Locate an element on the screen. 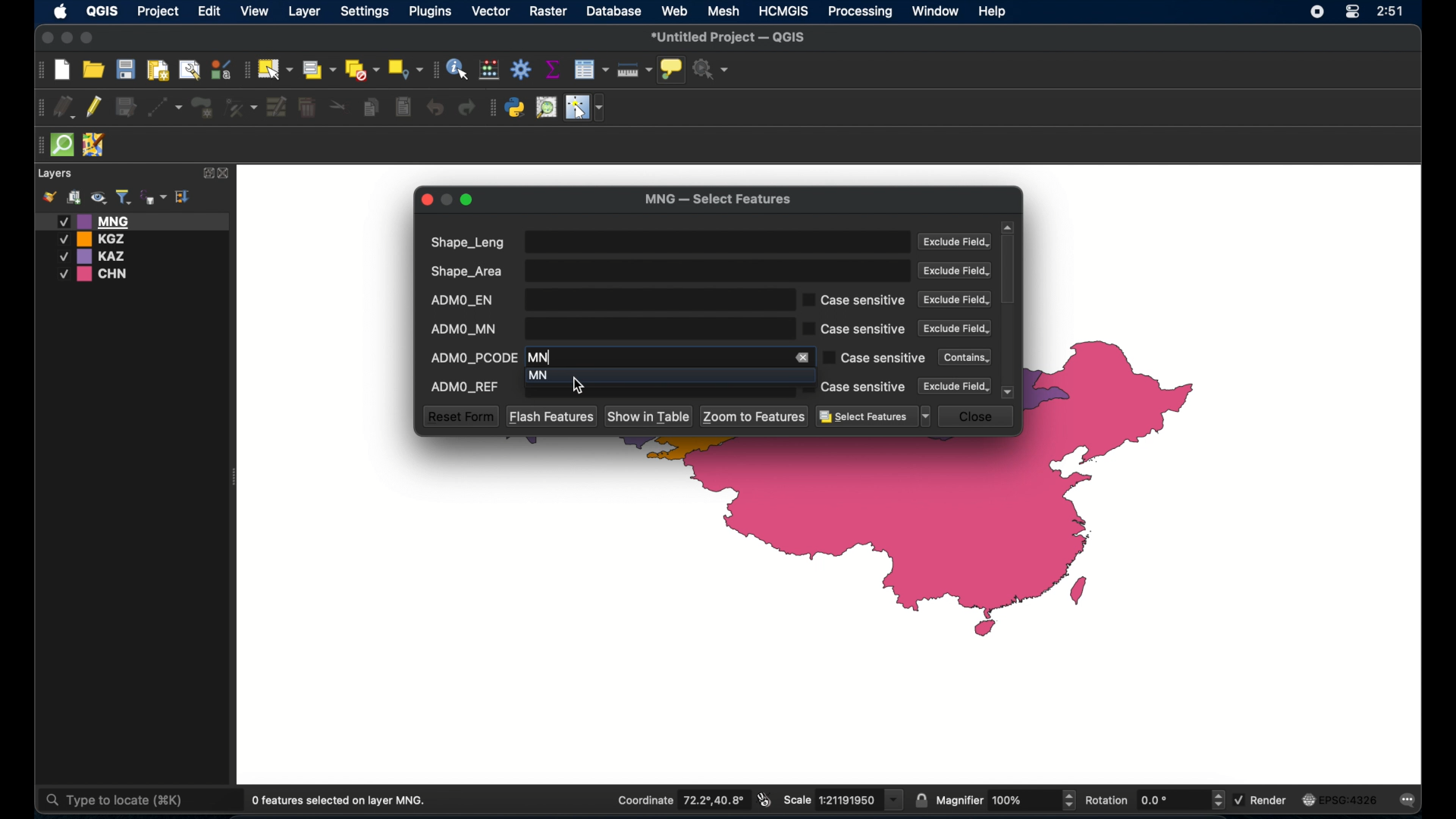 Image resolution: width=1456 pixels, height=819 pixels. Type to locate (#K) is located at coordinates (127, 802).